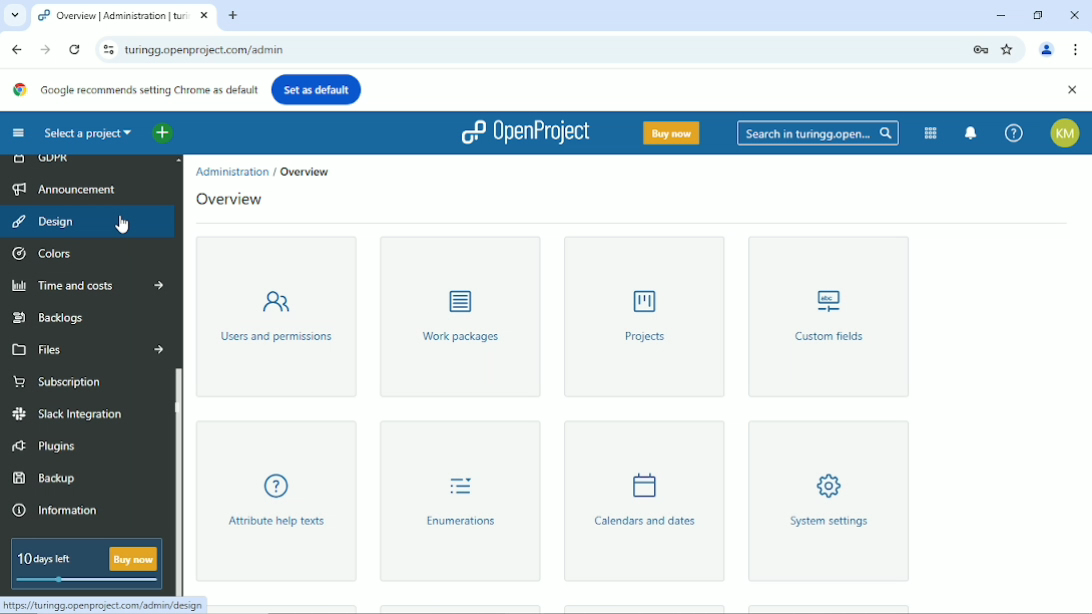  Describe the element at coordinates (232, 201) in the screenshot. I see `Overview` at that location.